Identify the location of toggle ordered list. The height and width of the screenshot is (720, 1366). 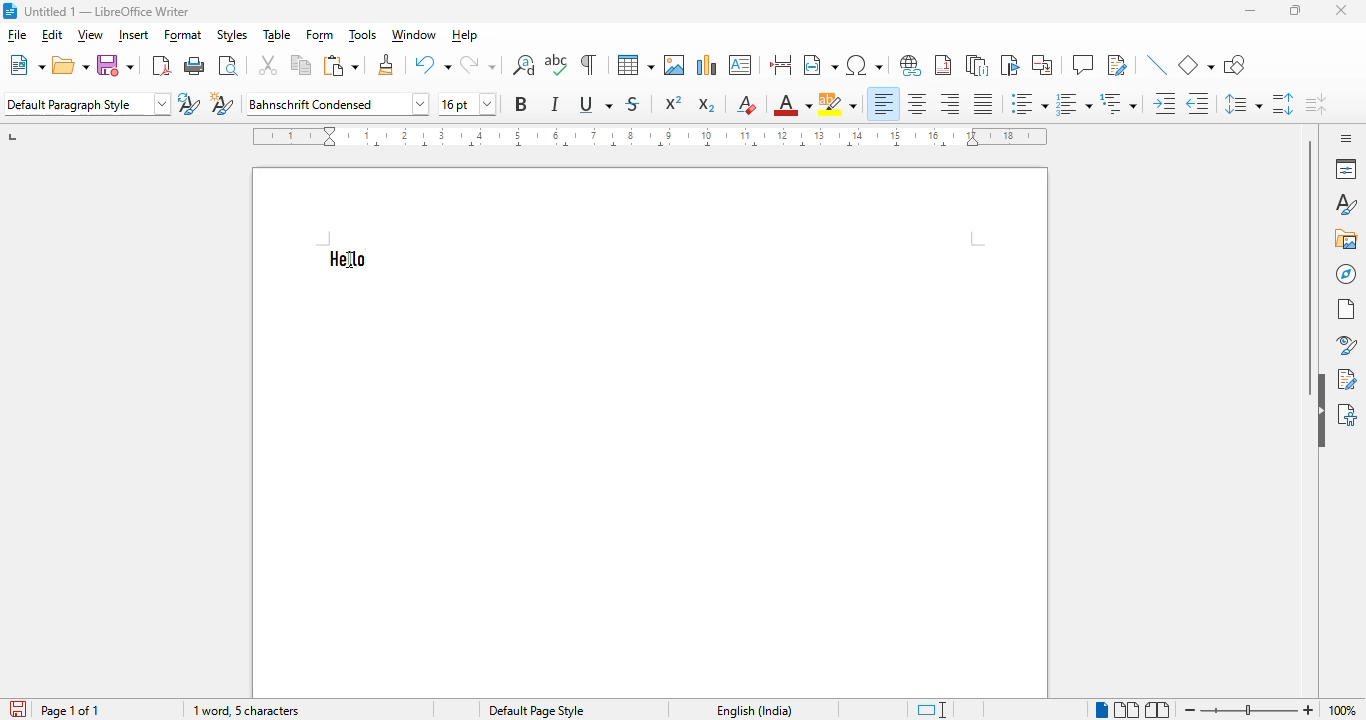
(1073, 103).